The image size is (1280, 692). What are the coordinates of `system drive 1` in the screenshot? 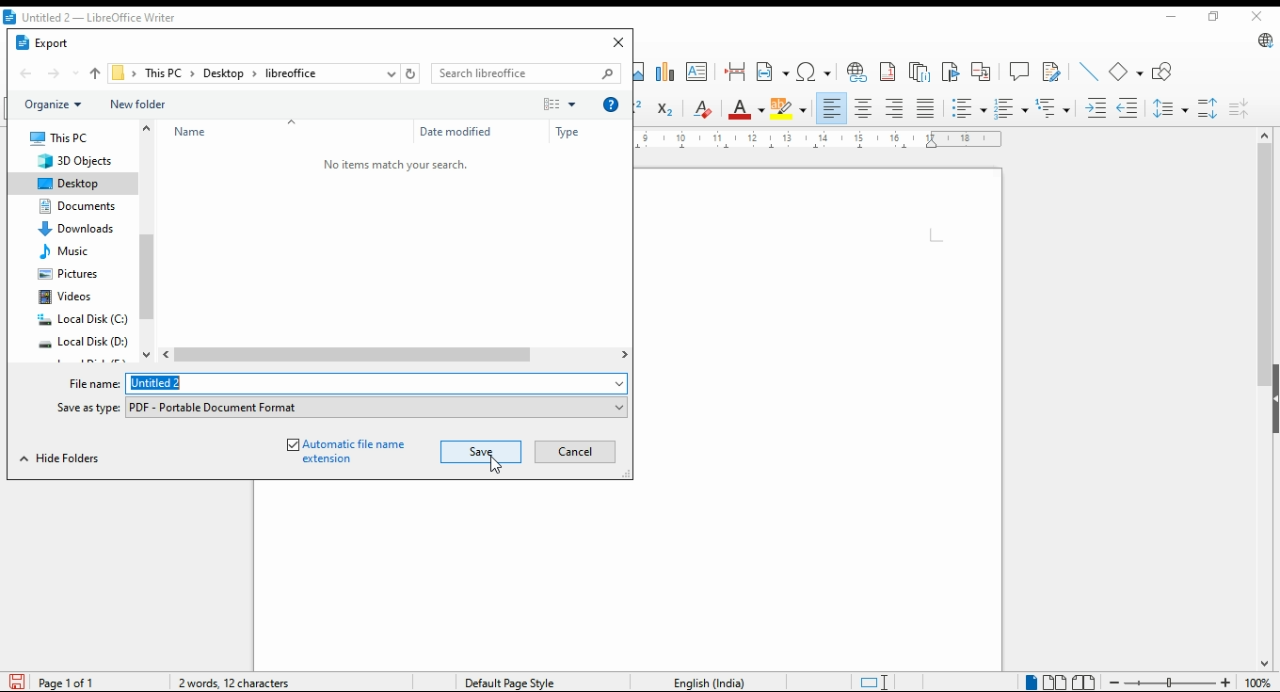 It's located at (82, 321).